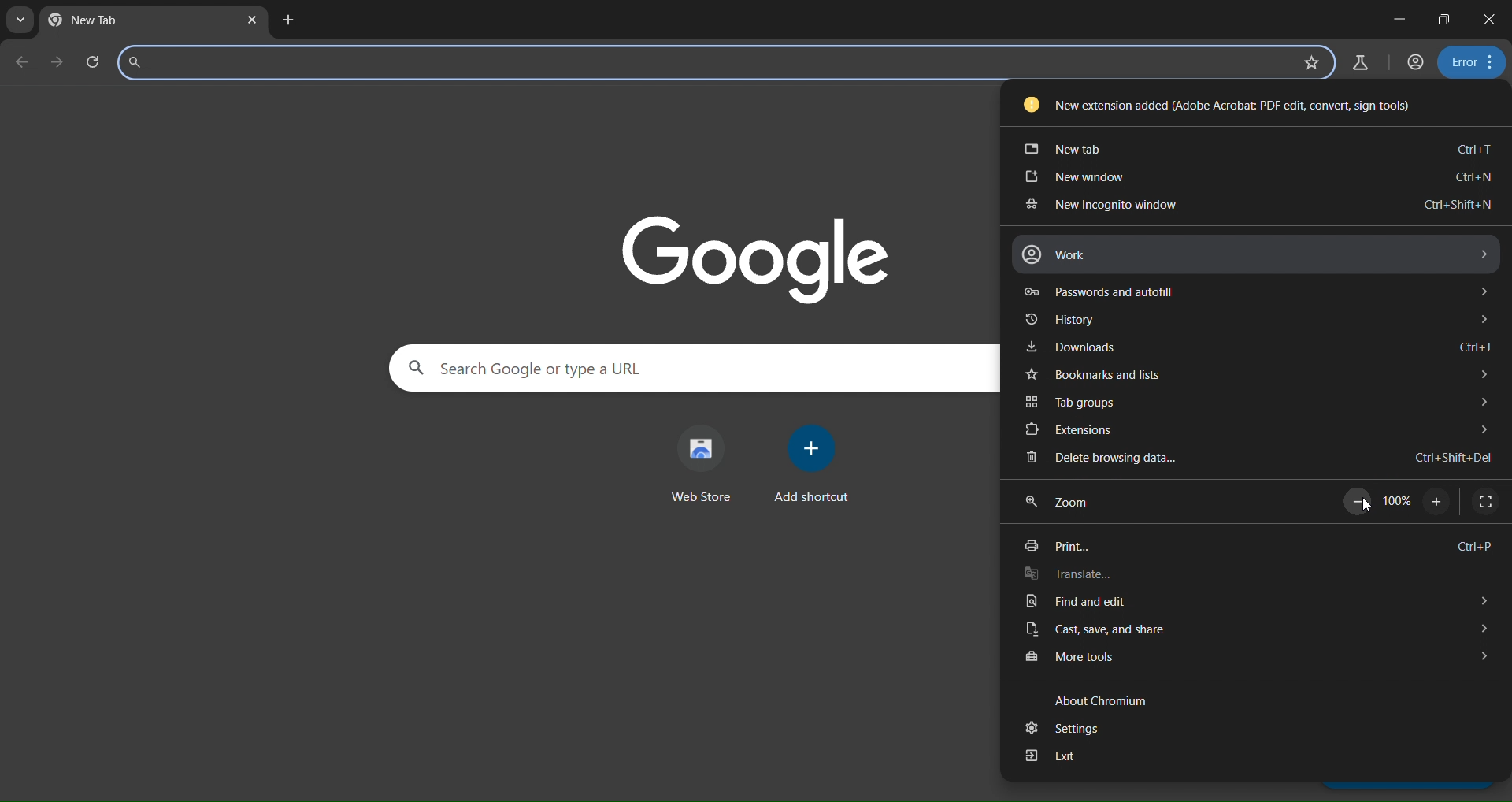  What do you see at coordinates (1473, 62) in the screenshot?
I see `menu` at bounding box center [1473, 62].